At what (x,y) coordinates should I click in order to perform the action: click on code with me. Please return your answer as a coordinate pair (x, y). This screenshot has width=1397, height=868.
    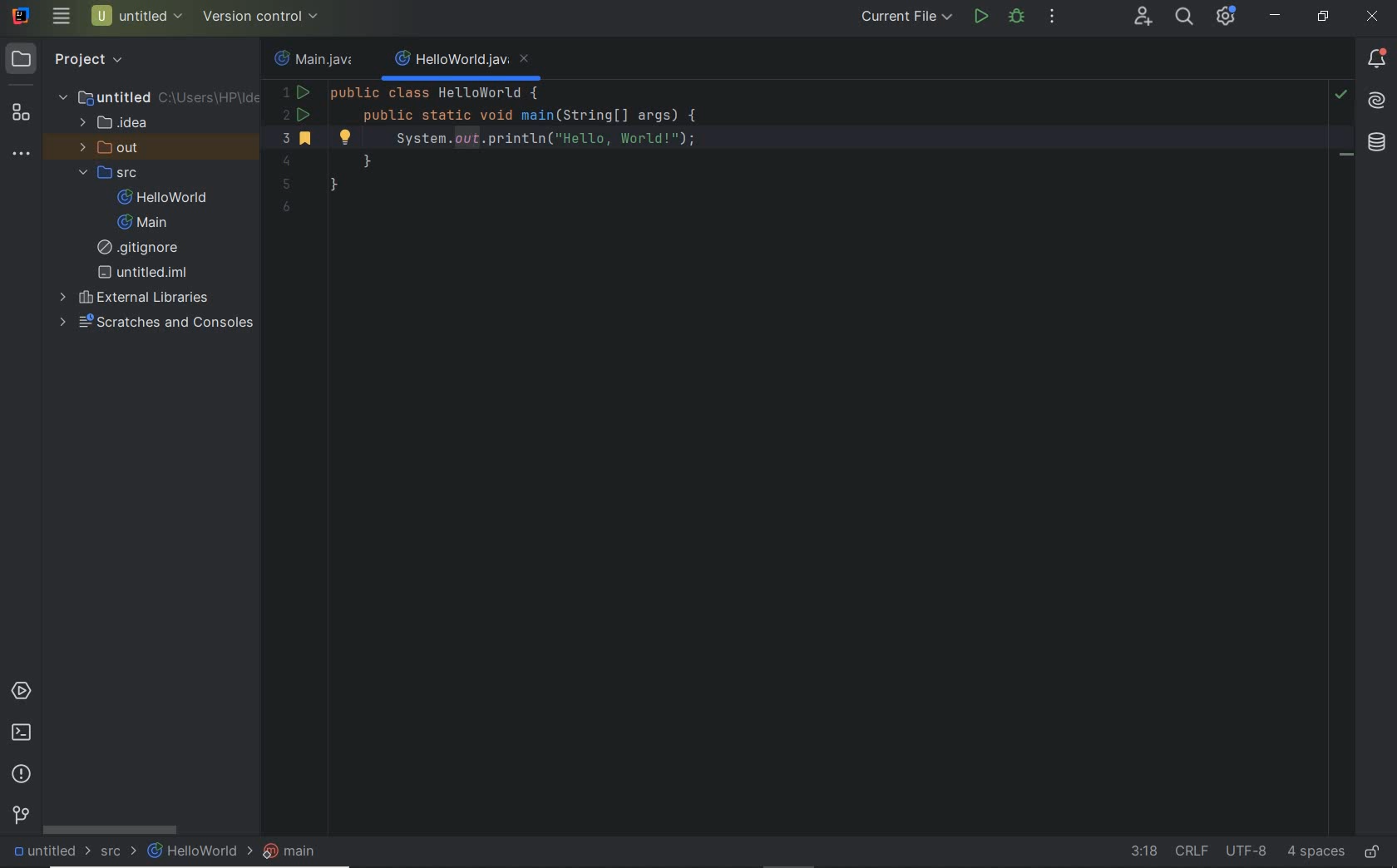
    Looking at the image, I should click on (1143, 19).